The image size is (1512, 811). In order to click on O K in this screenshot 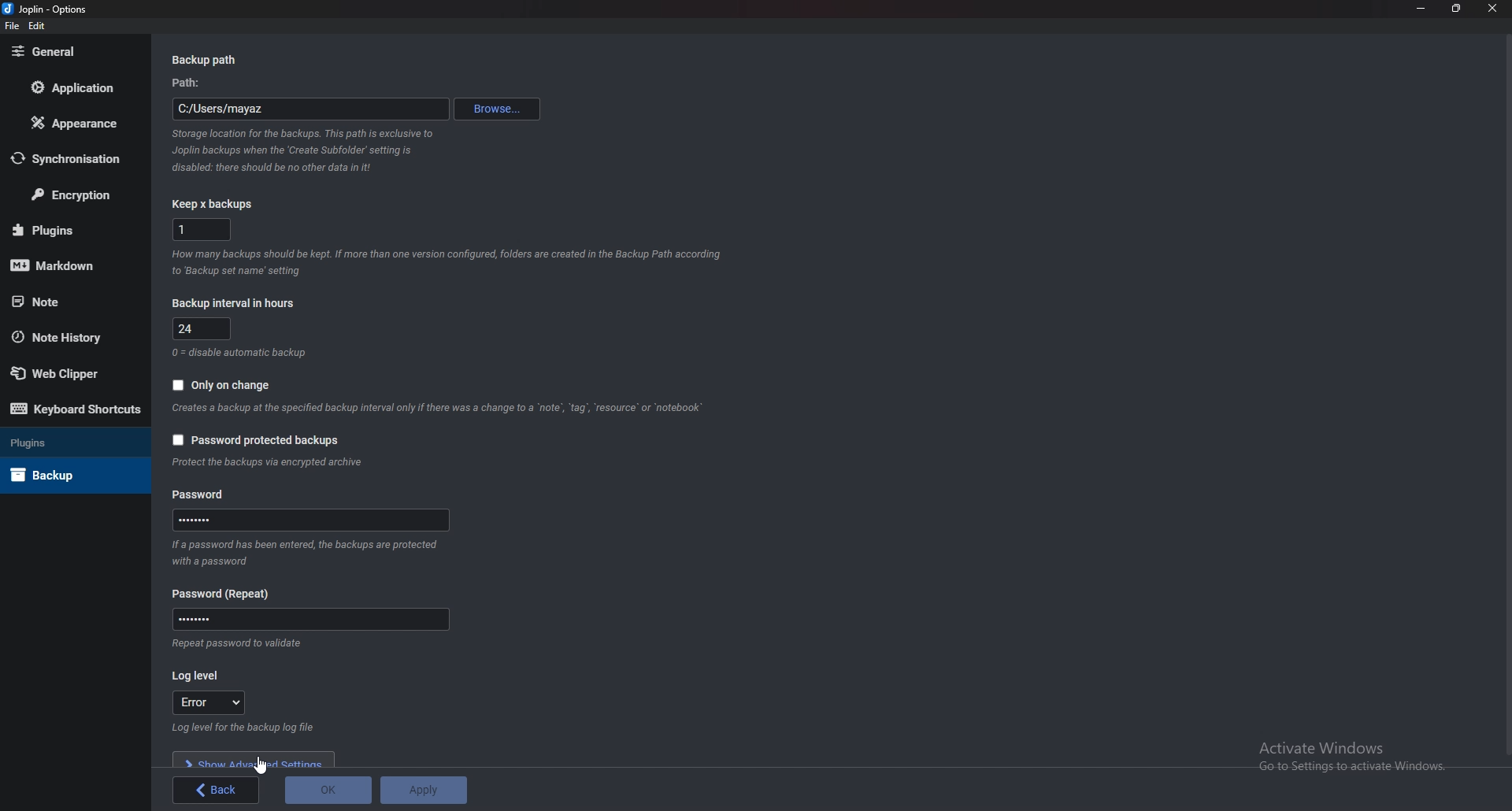, I will do `click(328, 791)`.